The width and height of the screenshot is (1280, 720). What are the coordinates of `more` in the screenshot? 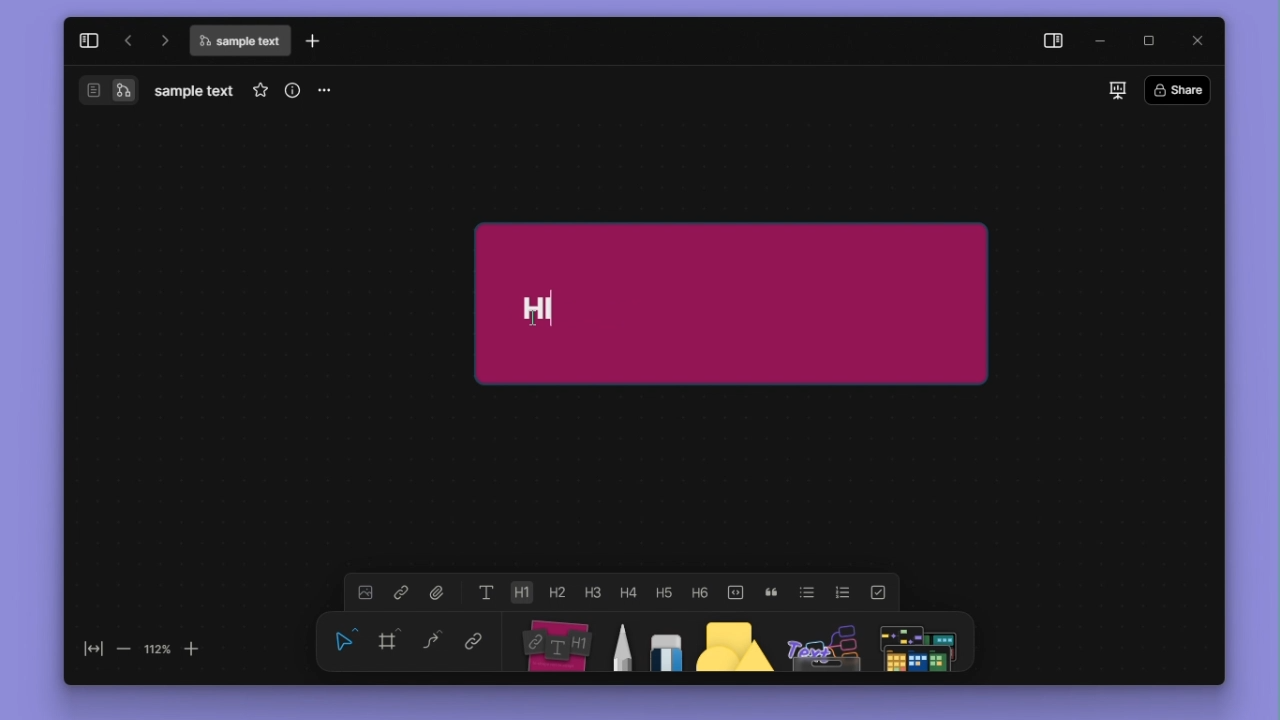 It's located at (917, 642).